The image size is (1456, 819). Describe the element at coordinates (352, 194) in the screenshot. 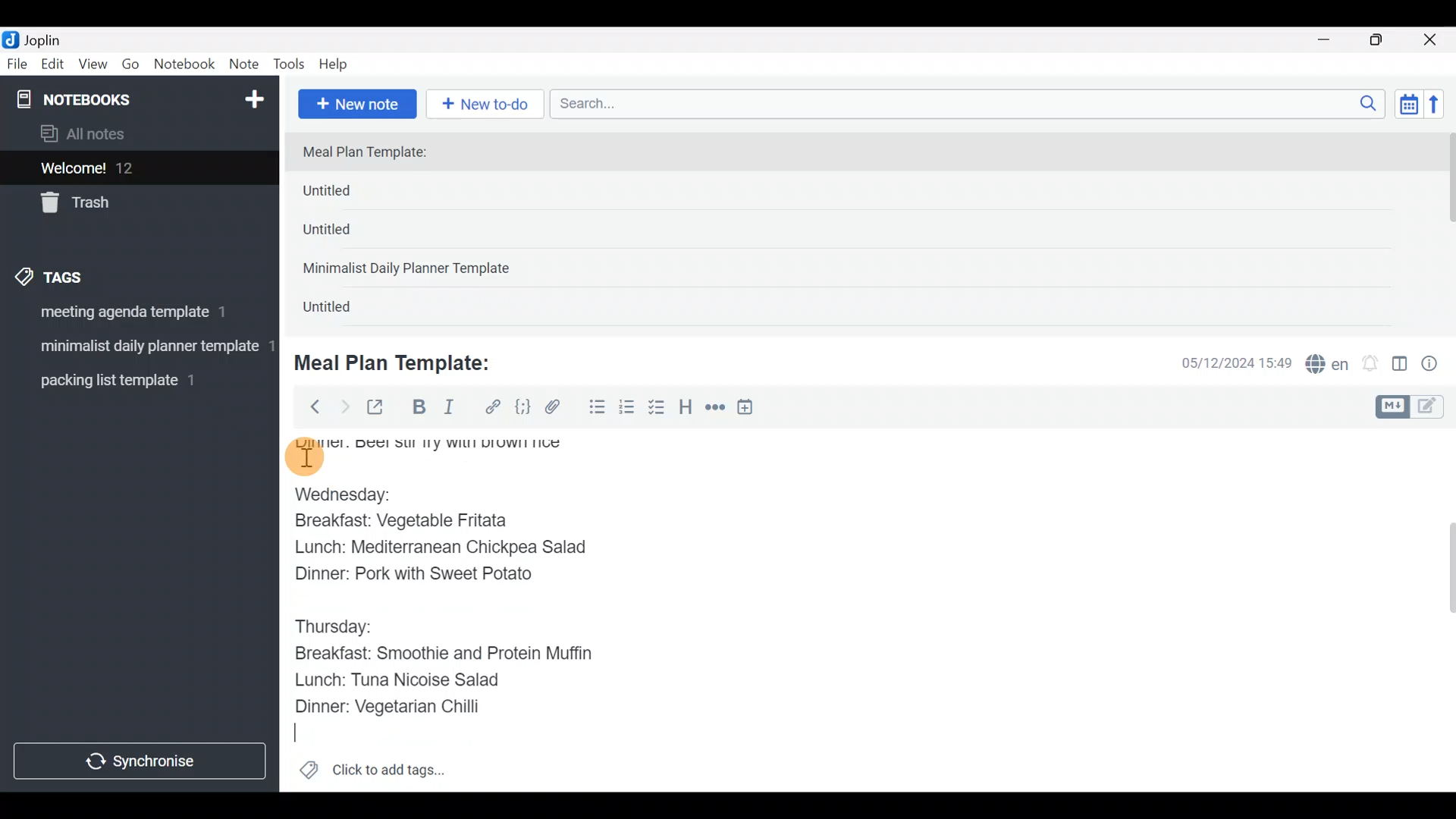

I see `Untitled` at that location.